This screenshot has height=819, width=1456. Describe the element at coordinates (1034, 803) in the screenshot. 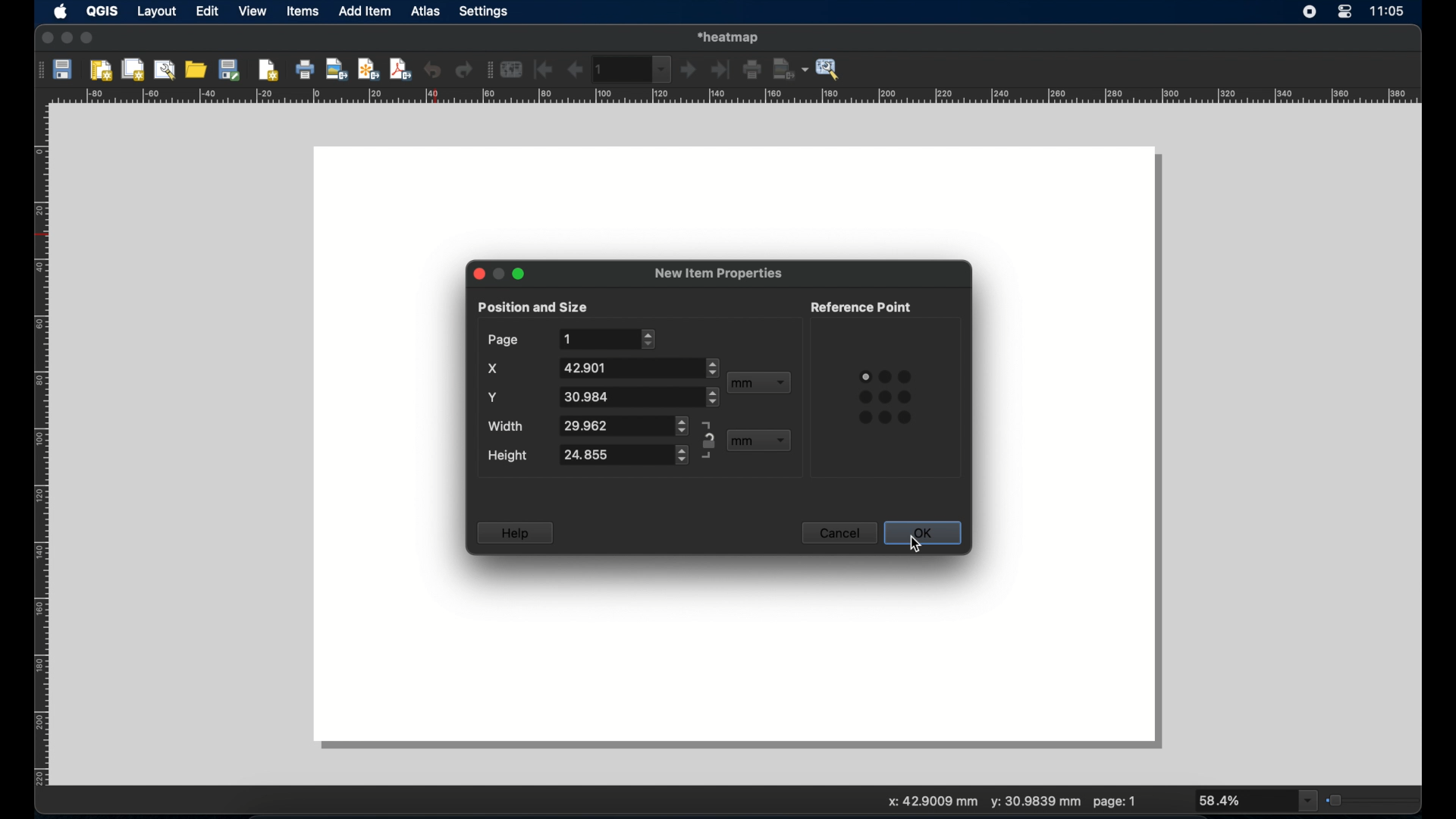

I see `y: mm` at that location.